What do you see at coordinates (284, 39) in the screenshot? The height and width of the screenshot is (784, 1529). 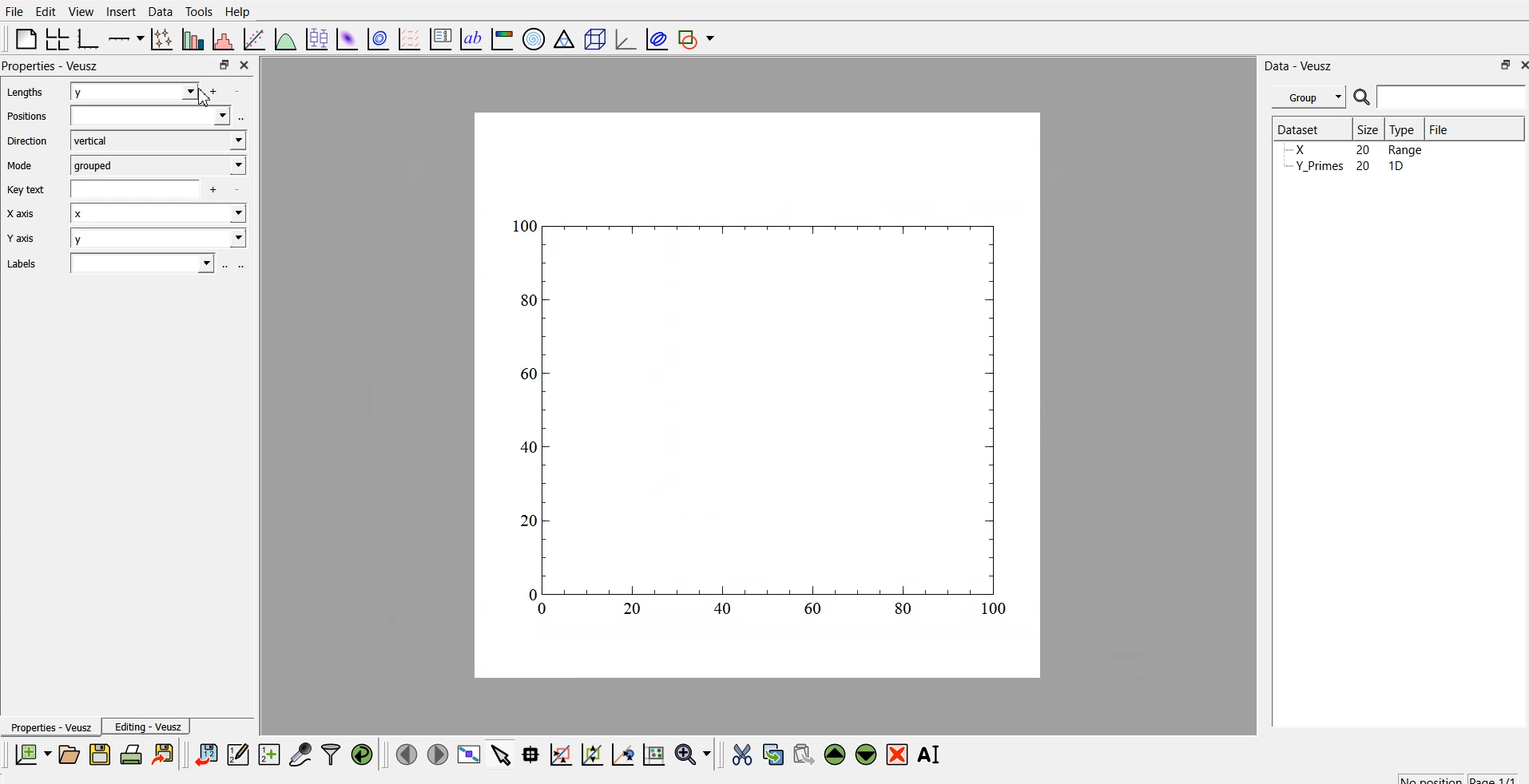 I see `plot function` at bounding box center [284, 39].